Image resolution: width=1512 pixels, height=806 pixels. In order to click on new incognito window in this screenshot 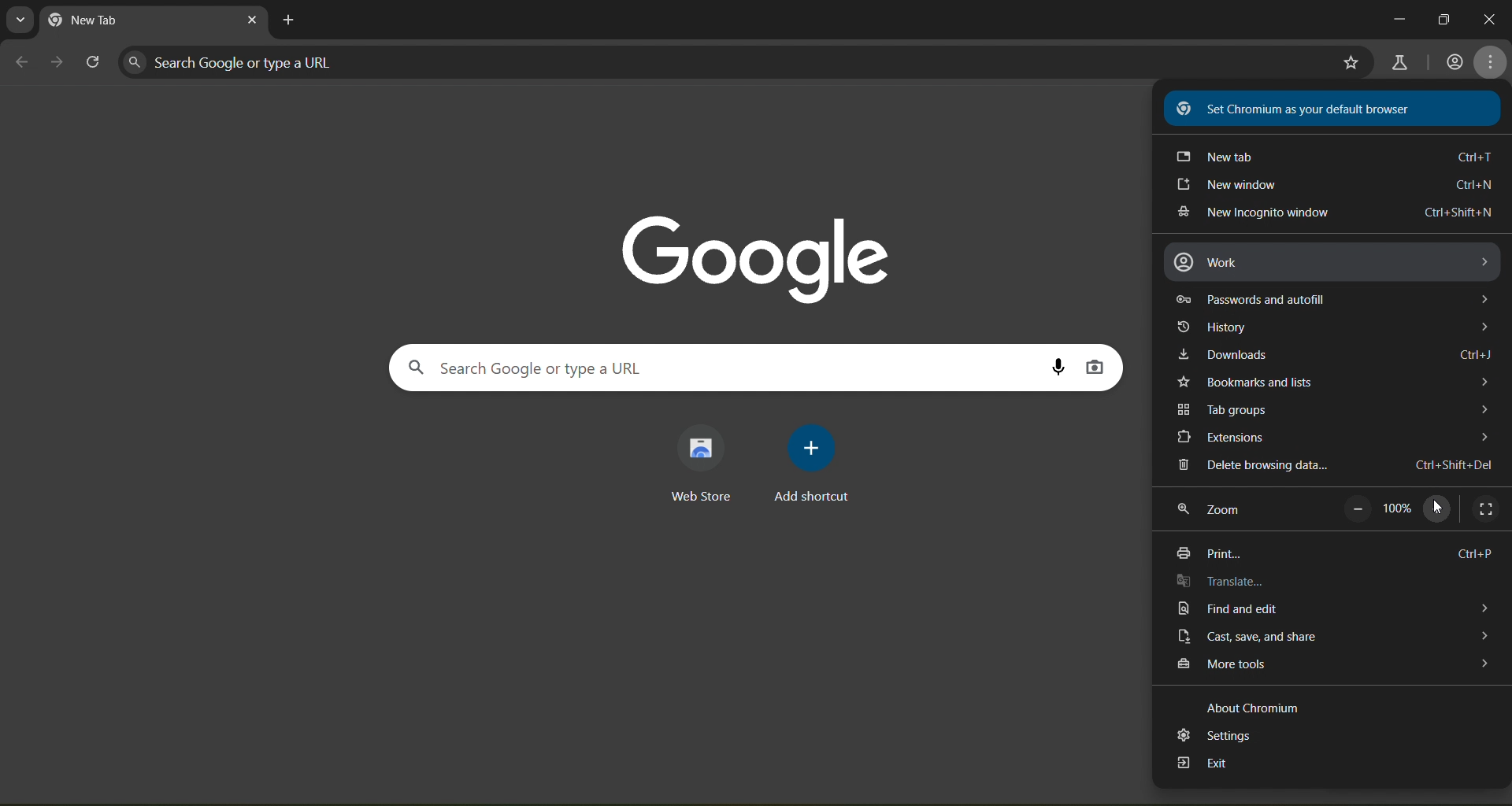, I will do `click(1336, 213)`.